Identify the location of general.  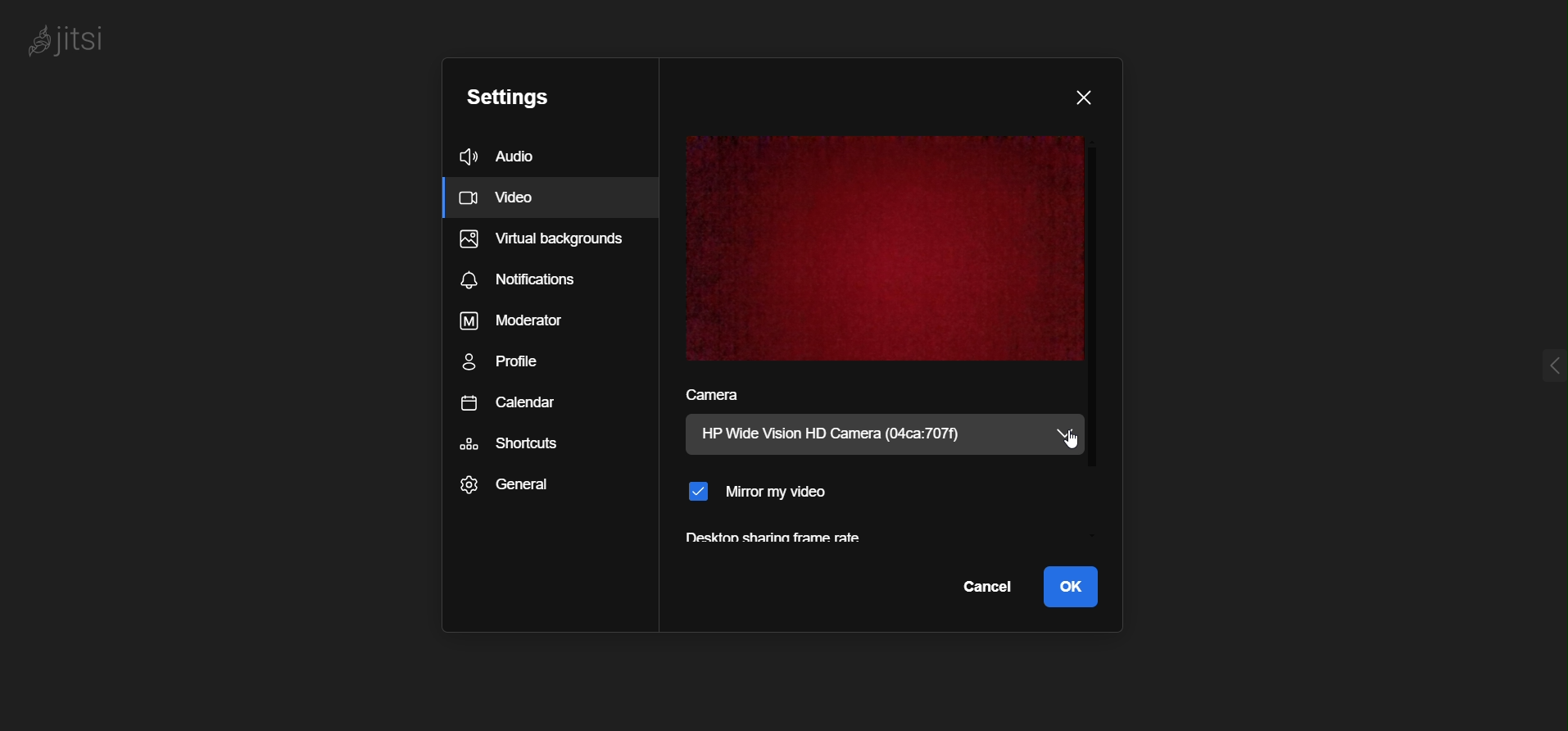
(514, 487).